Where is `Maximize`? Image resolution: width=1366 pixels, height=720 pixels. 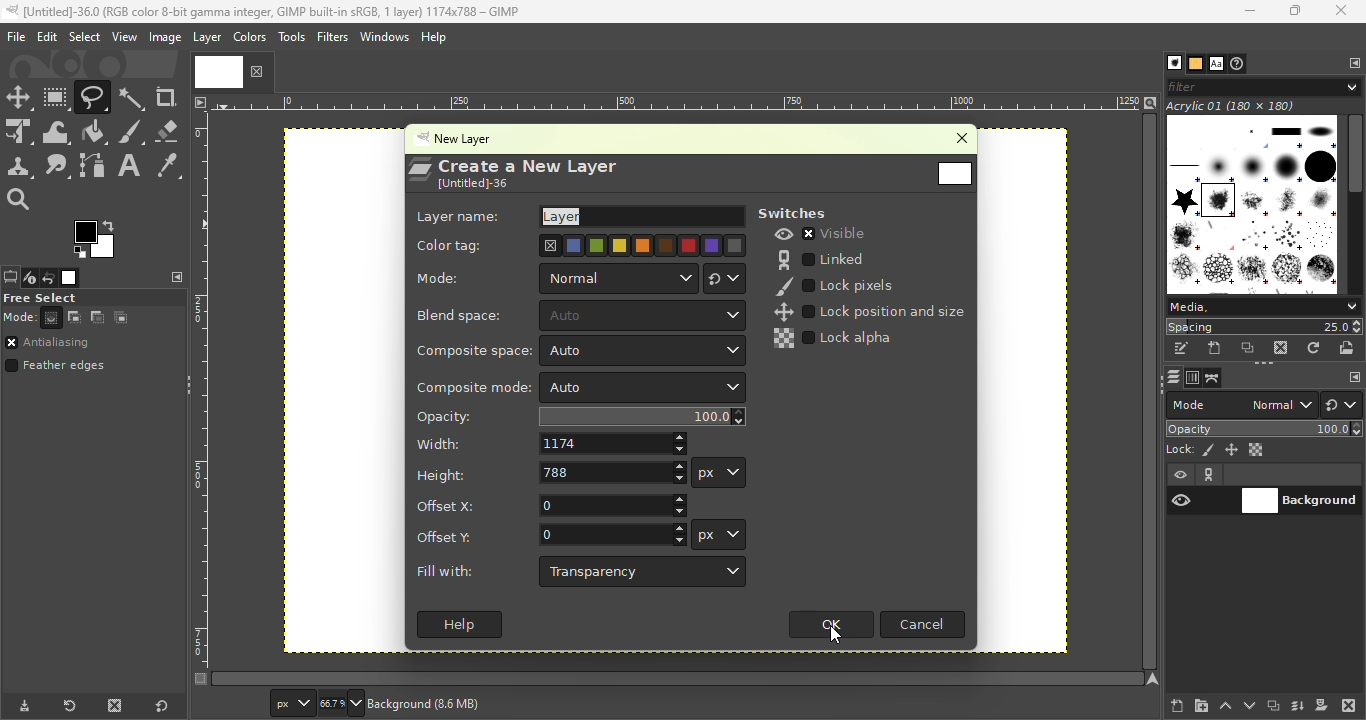
Maximize is located at coordinates (1298, 11).